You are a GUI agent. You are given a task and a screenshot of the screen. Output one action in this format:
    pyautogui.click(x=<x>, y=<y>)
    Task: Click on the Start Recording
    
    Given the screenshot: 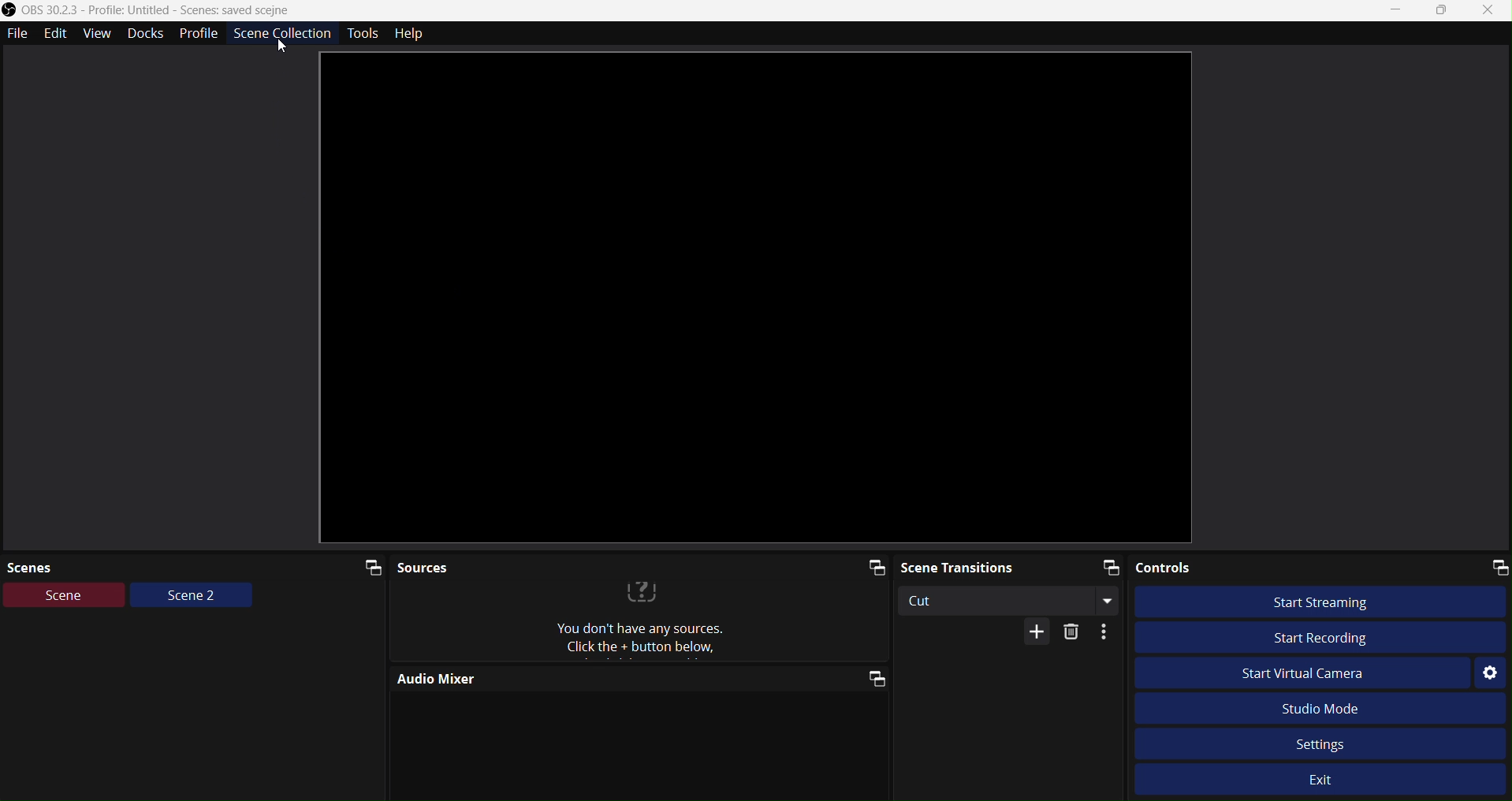 What is the action you would take?
    pyautogui.click(x=1320, y=638)
    